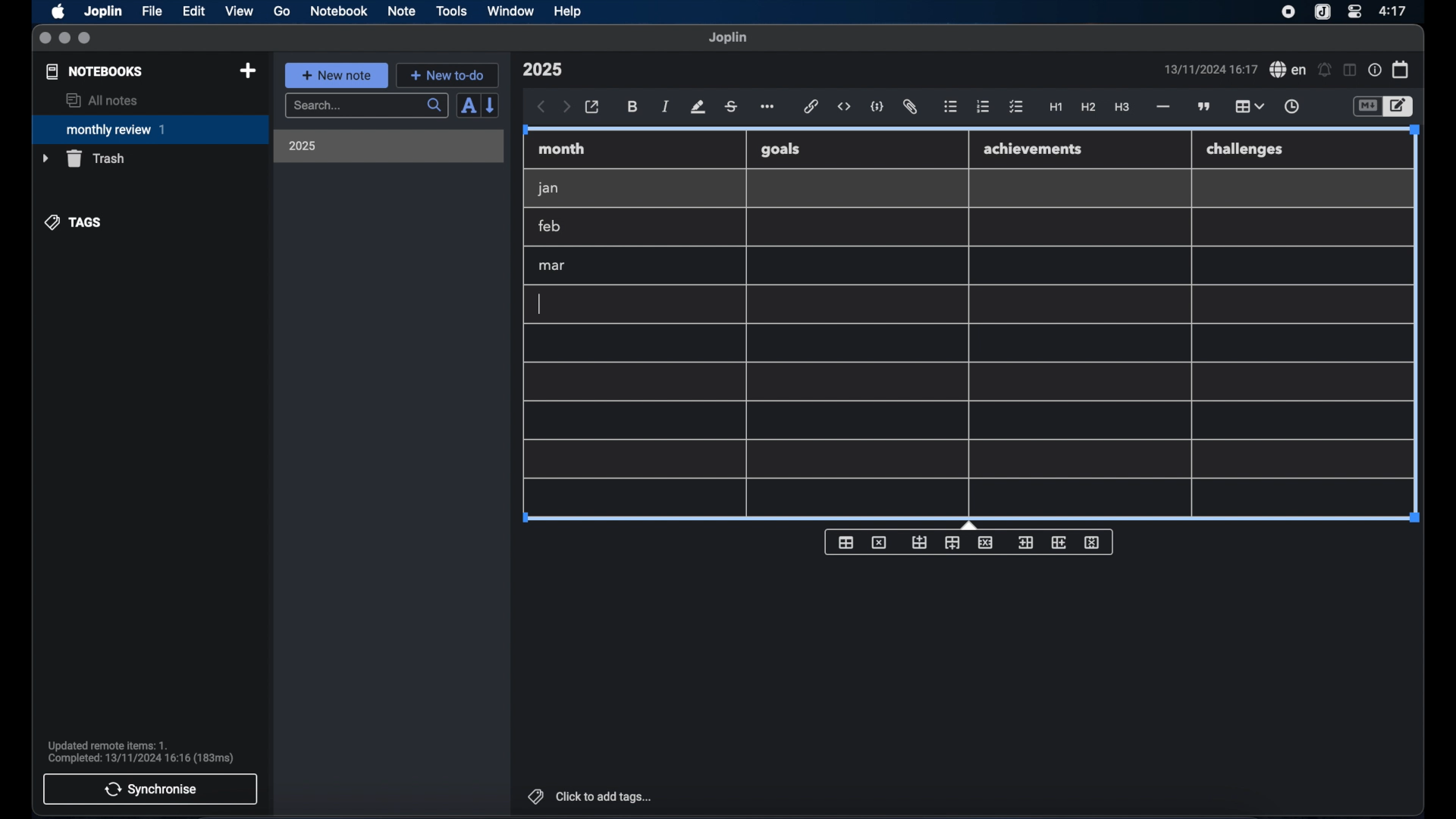 This screenshot has width=1456, height=819. What do you see at coordinates (591, 796) in the screenshot?
I see `click to add tags` at bounding box center [591, 796].